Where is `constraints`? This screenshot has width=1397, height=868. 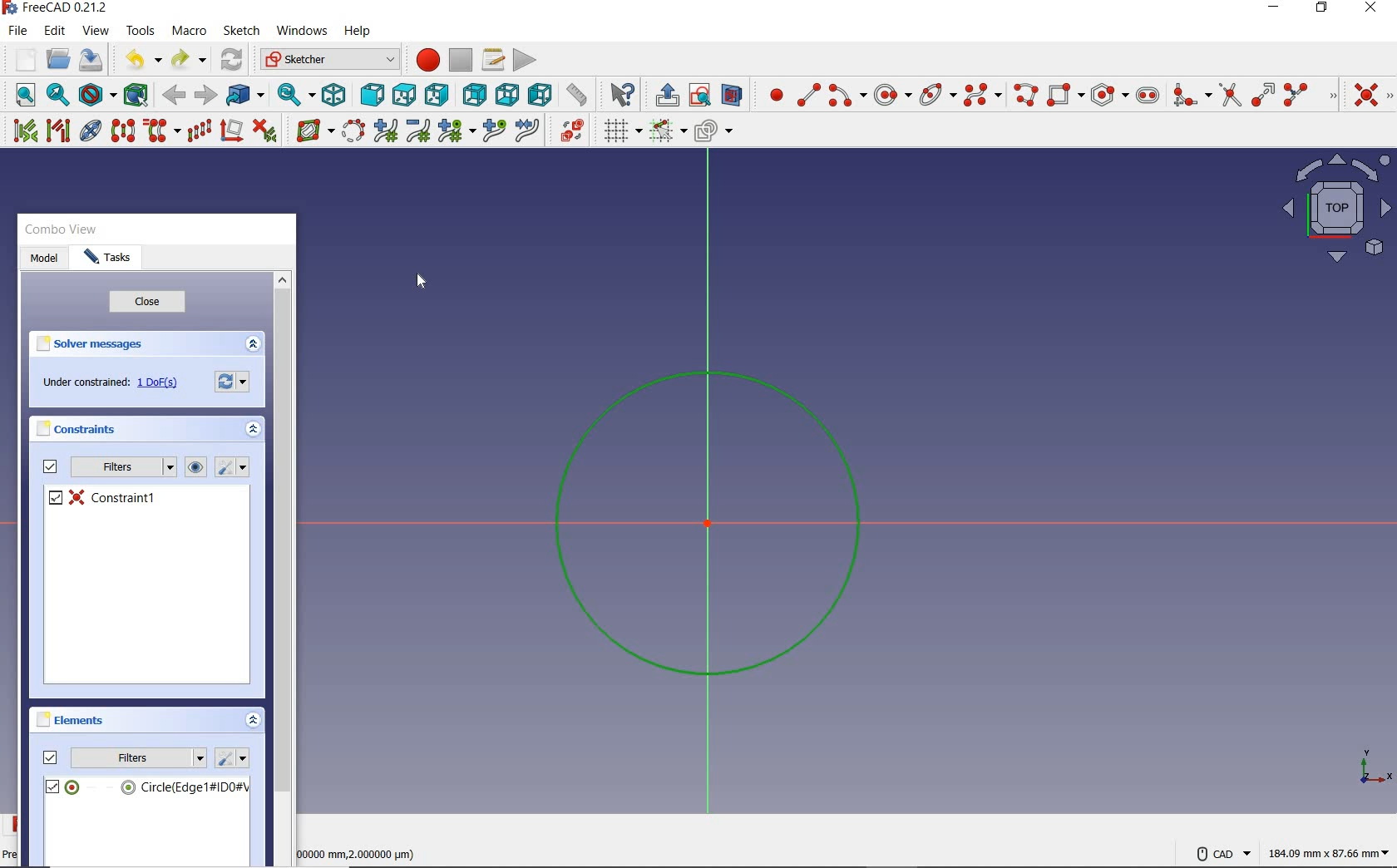
constraints is located at coordinates (85, 430).